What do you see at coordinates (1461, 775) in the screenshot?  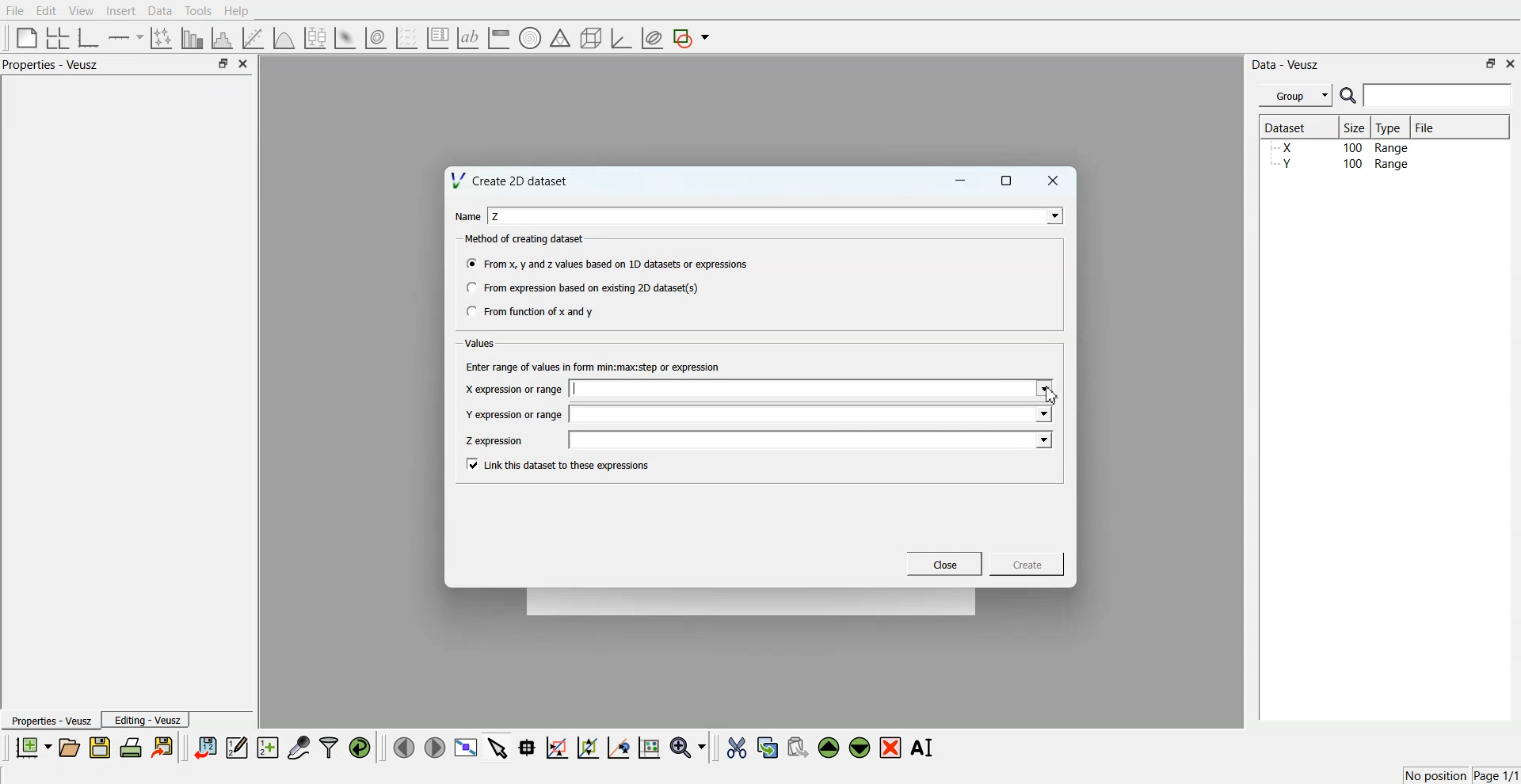 I see `No position Page 1/1` at bounding box center [1461, 775].